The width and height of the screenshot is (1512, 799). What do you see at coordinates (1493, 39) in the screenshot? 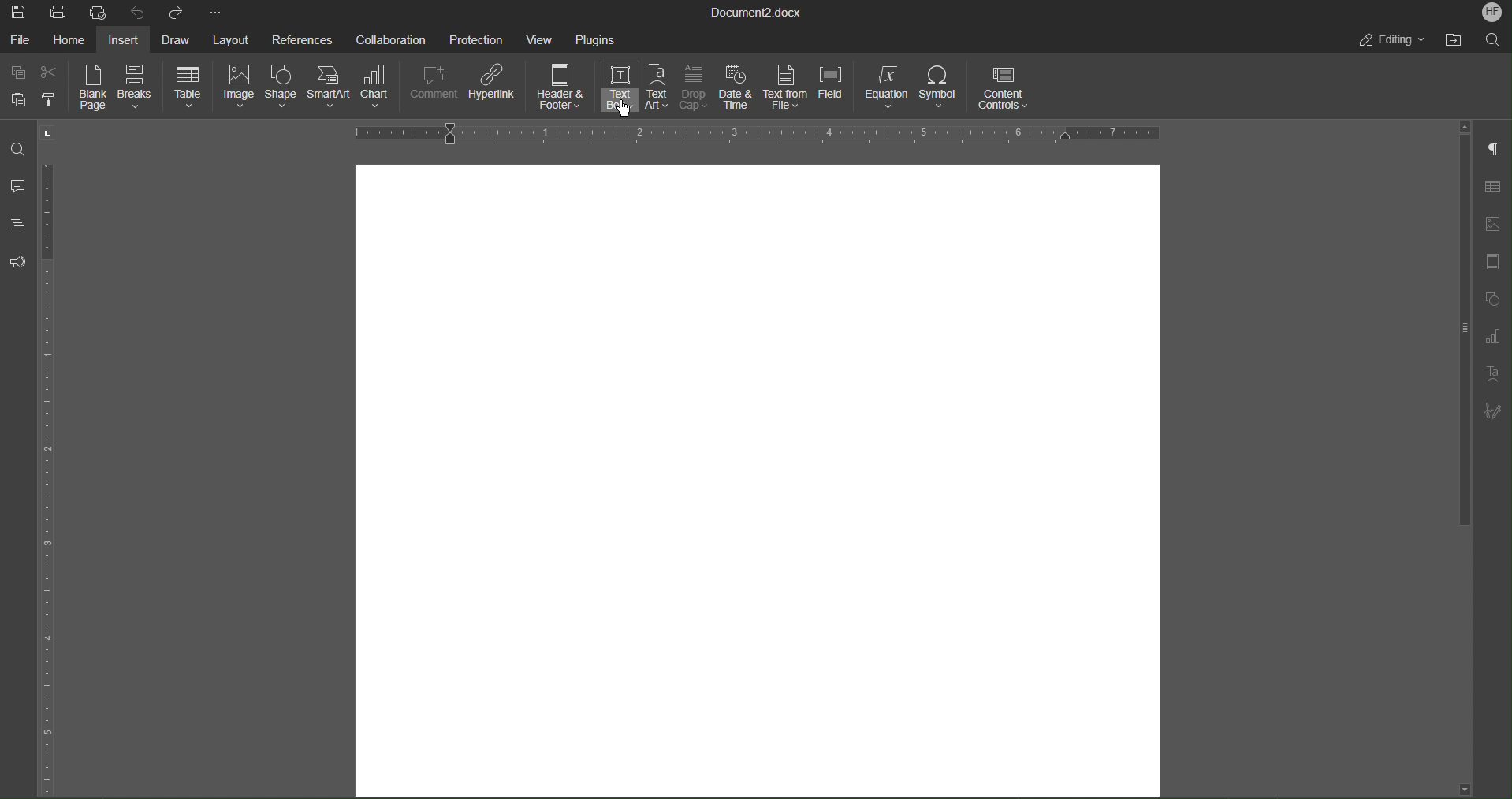
I see `Search` at bounding box center [1493, 39].